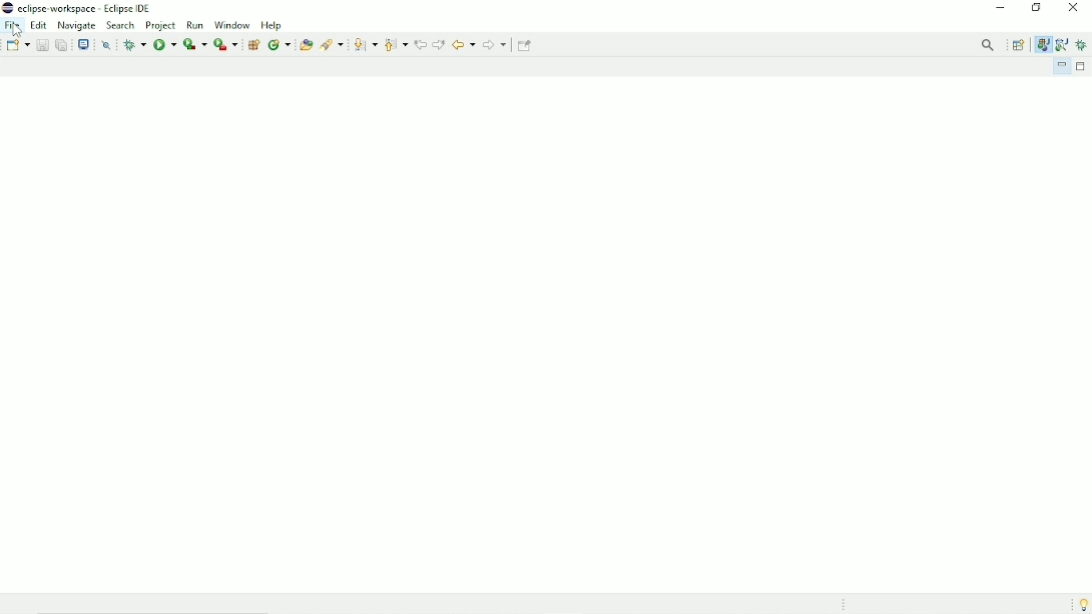  I want to click on Save, so click(41, 43).